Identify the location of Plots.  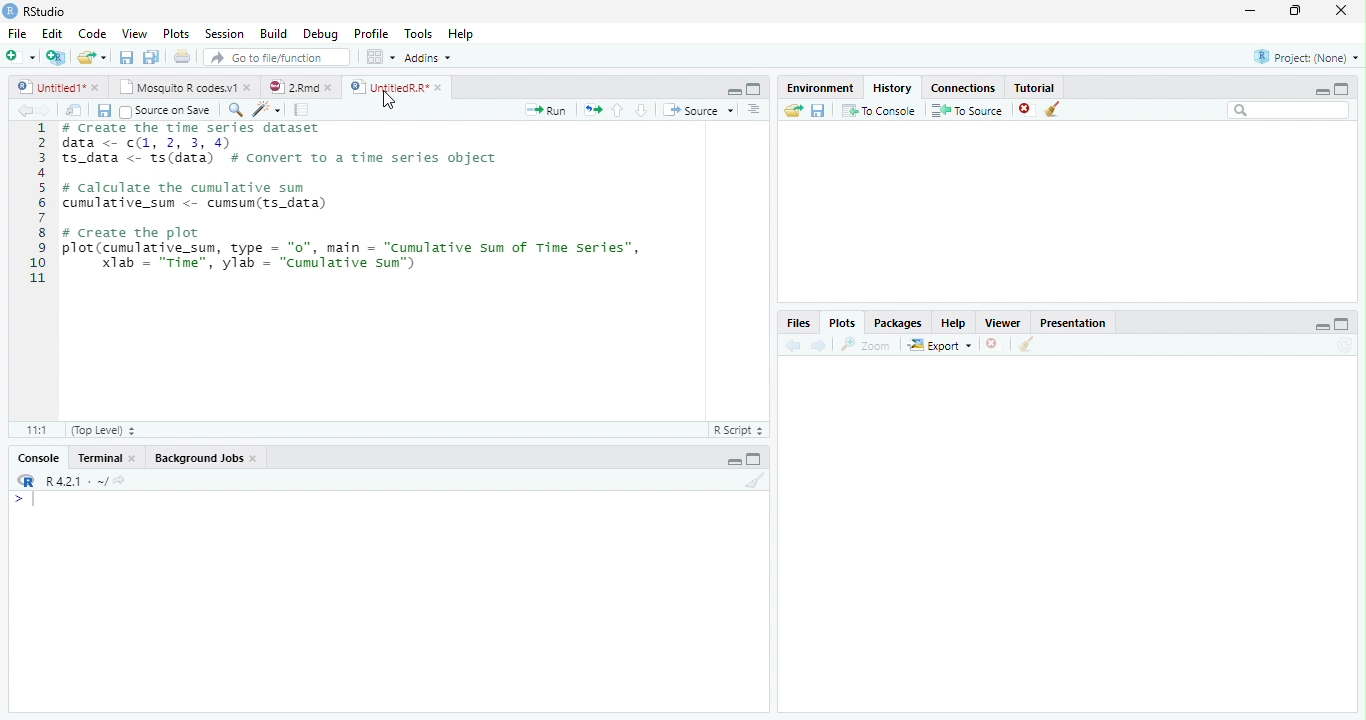
(843, 322).